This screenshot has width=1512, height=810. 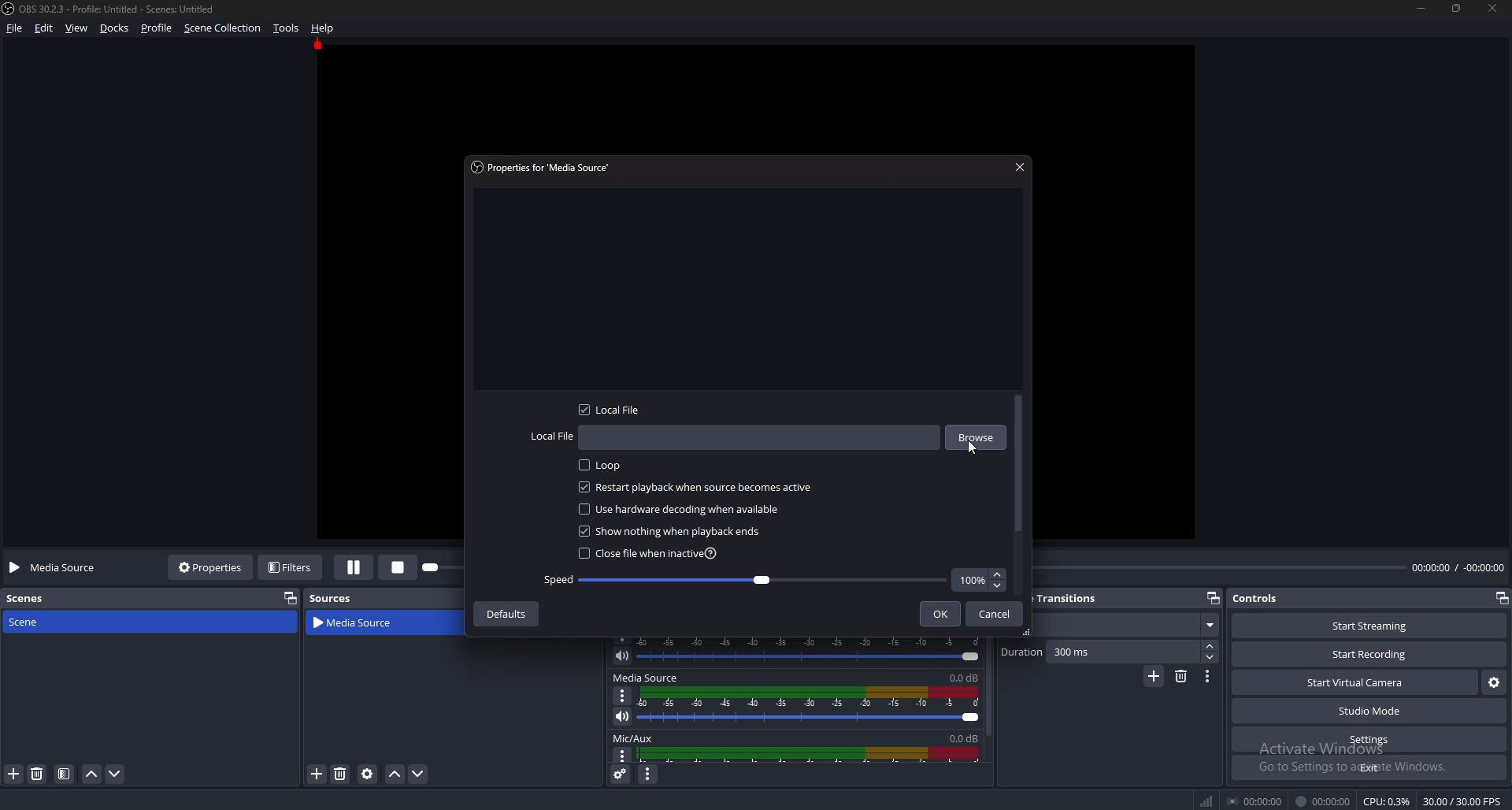 What do you see at coordinates (1206, 801) in the screenshot?
I see `Signal` at bounding box center [1206, 801].